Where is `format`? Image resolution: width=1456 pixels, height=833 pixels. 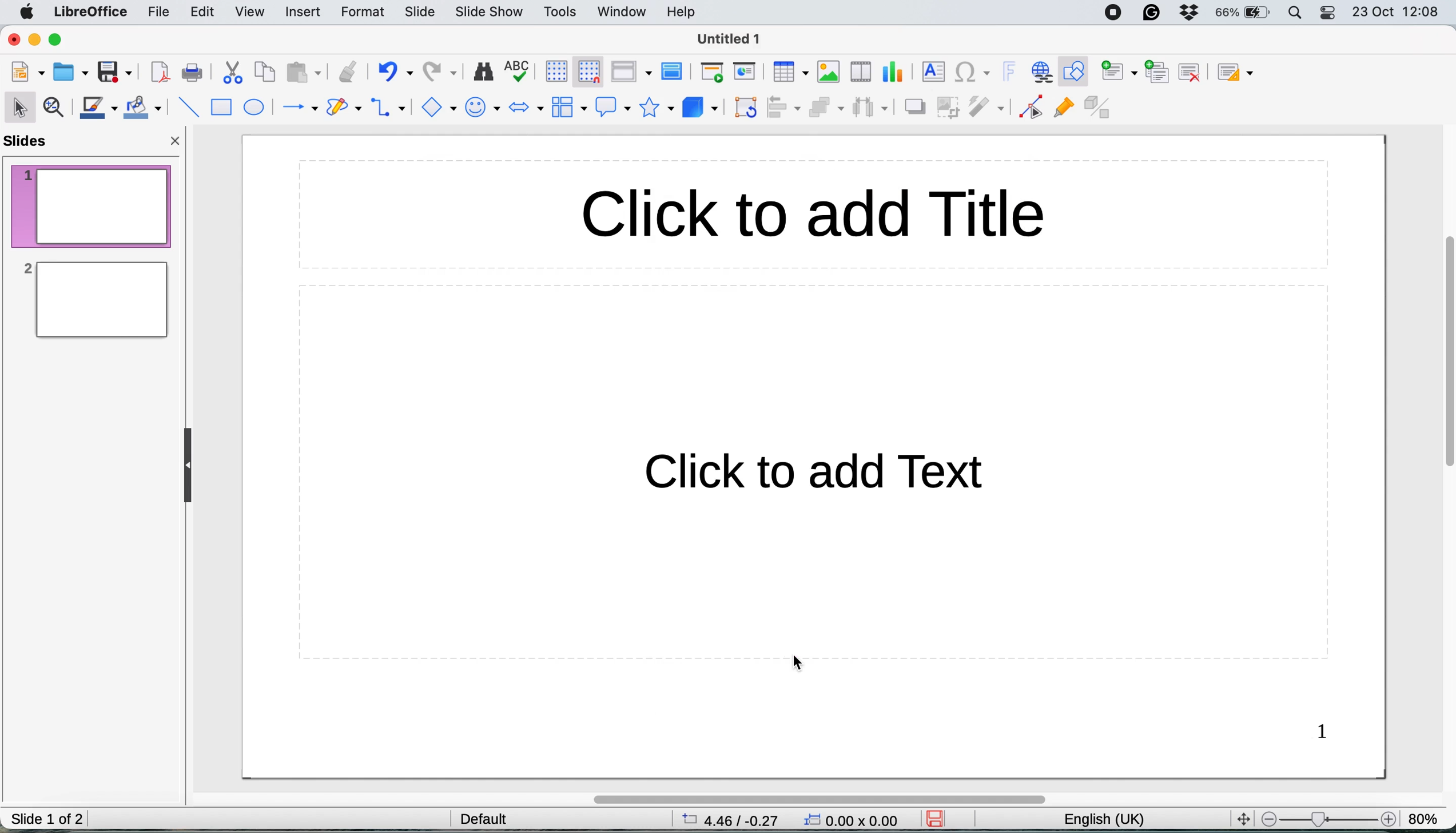
format is located at coordinates (365, 13).